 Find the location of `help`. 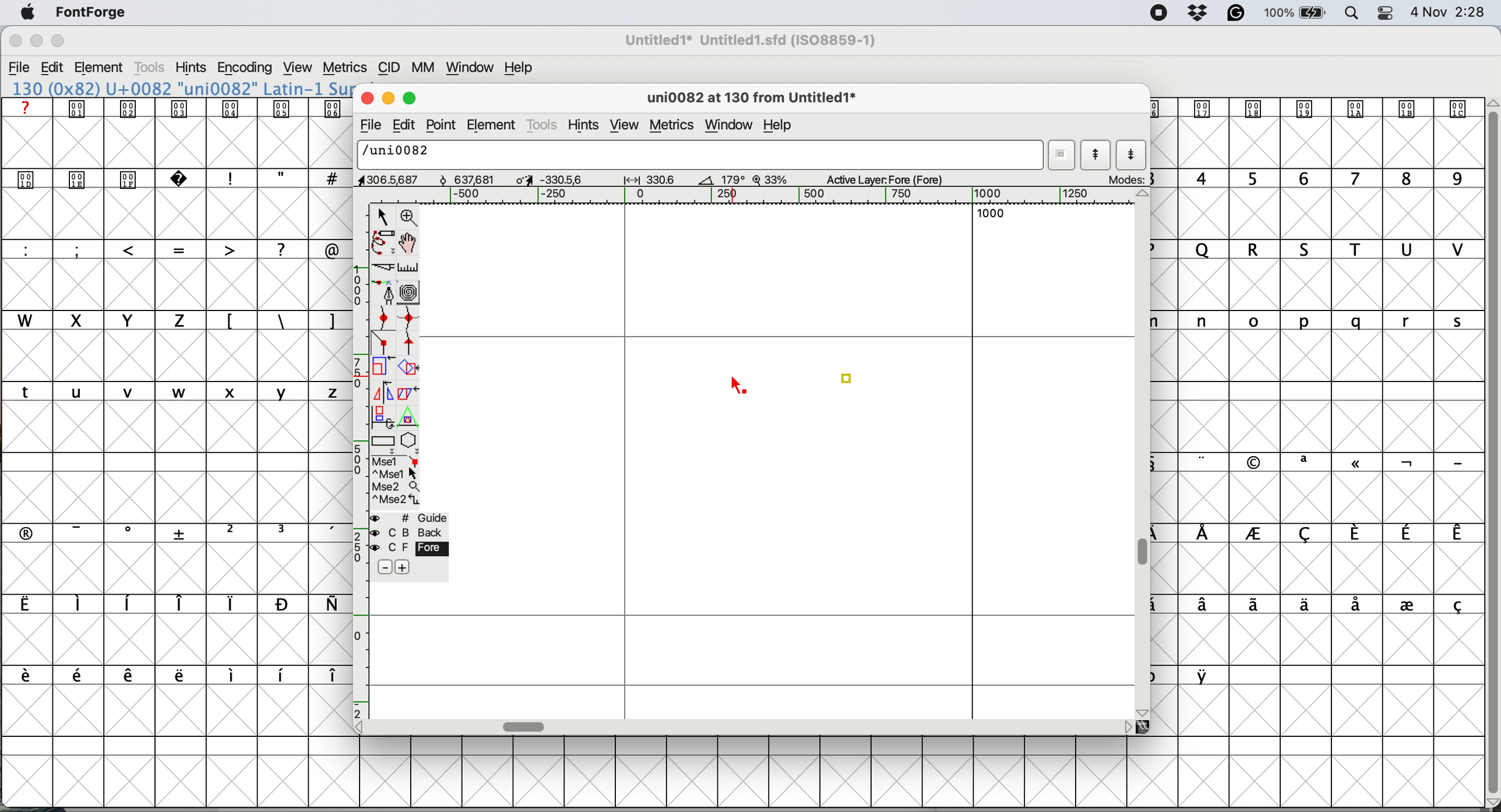

help is located at coordinates (781, 127).